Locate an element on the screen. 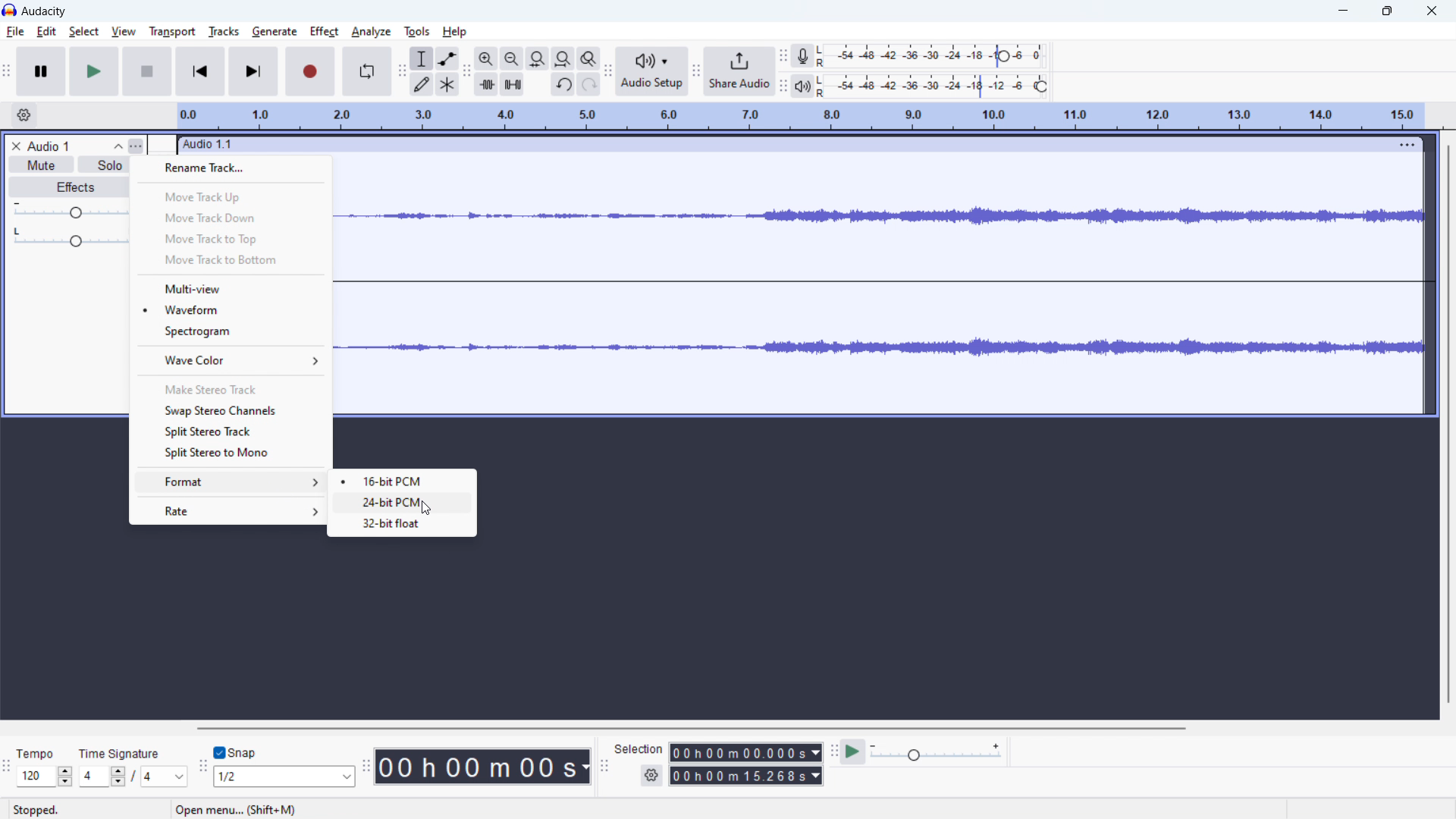  track waveform is located at coordinates (884, 214).